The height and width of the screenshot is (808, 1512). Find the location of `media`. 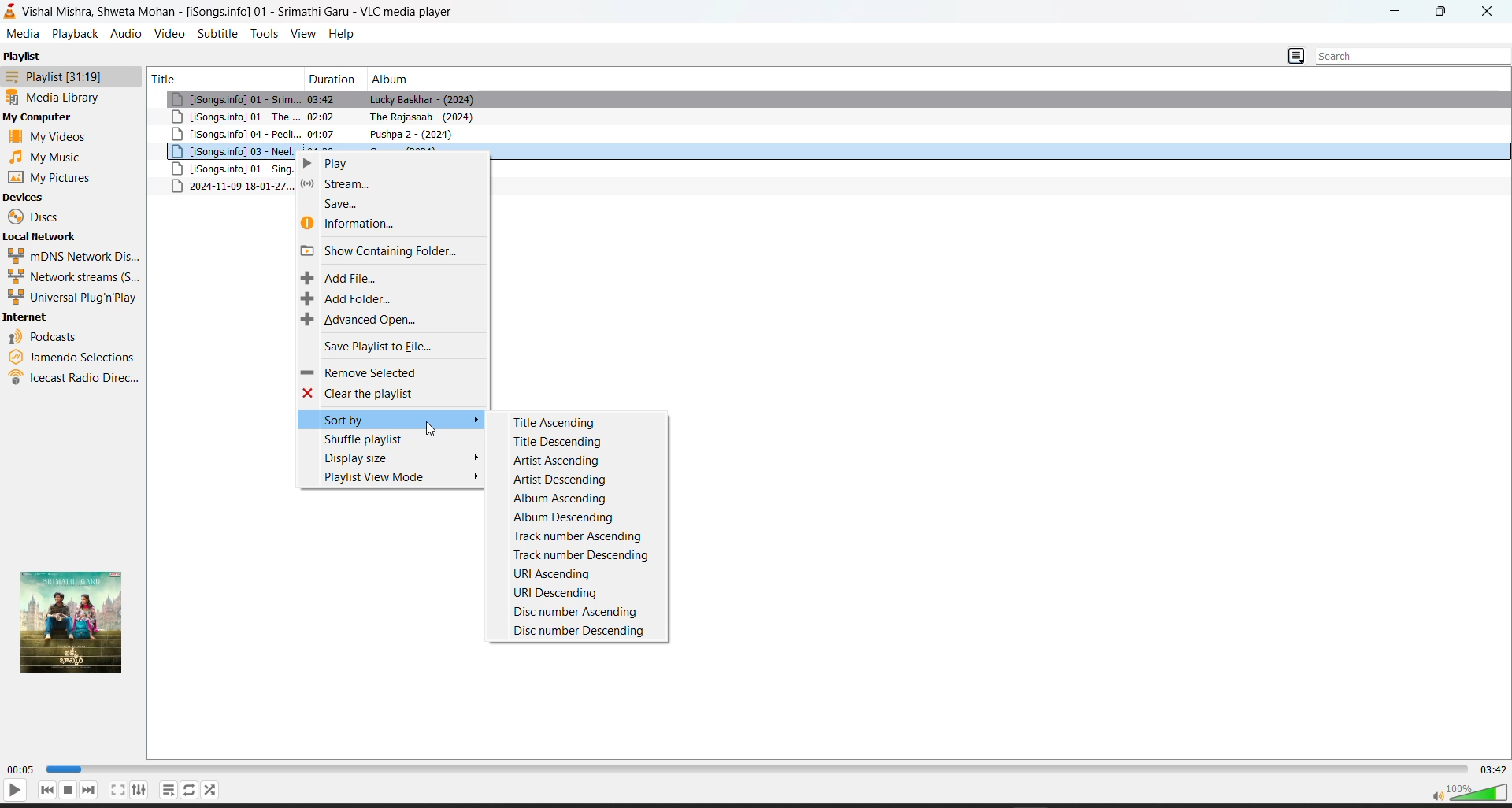

media is located at coordinates (22, 35).